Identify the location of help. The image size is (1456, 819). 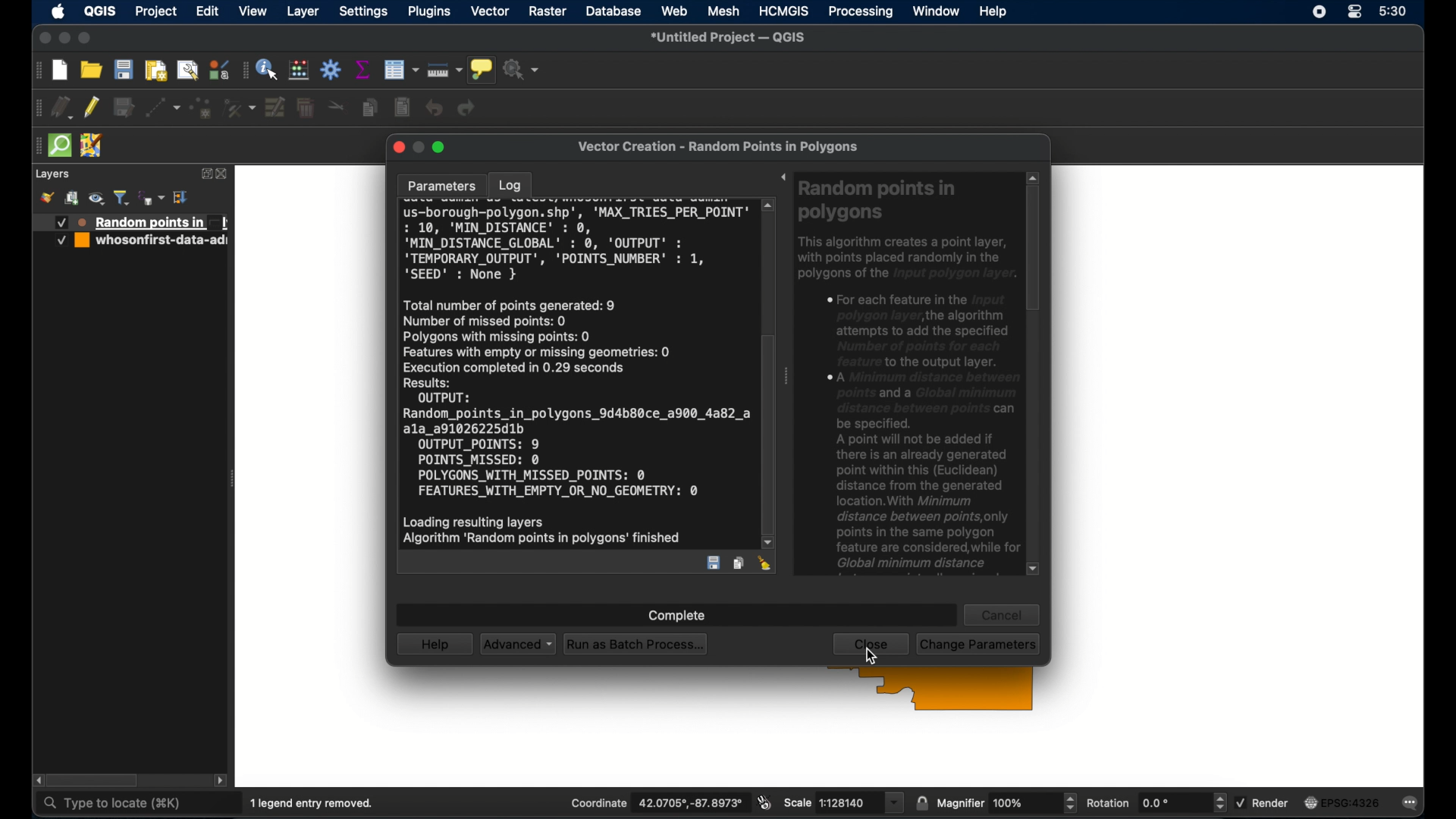
(993, 12).